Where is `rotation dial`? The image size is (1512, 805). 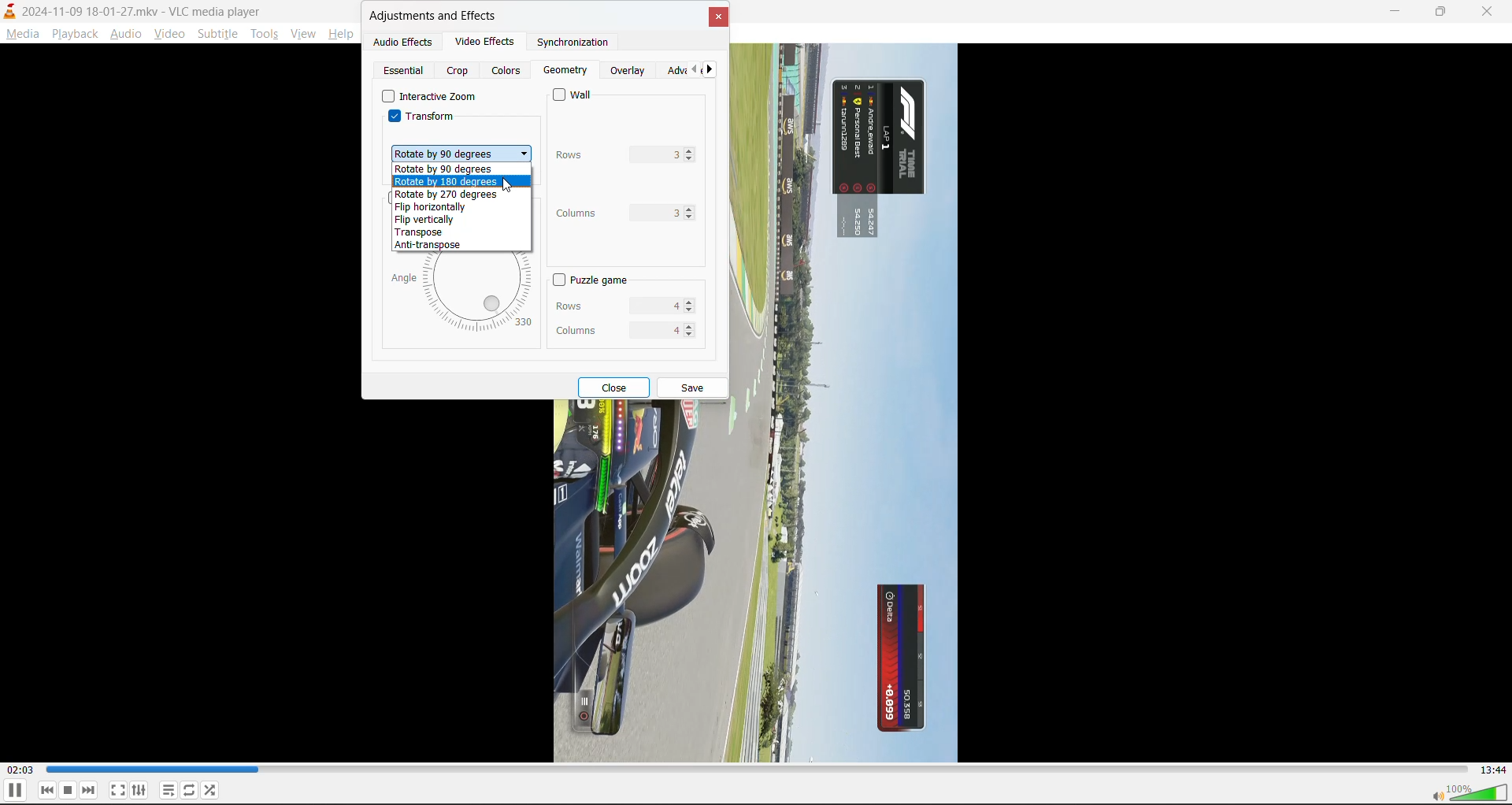
rotation dial is located at coordinates (463, 294).